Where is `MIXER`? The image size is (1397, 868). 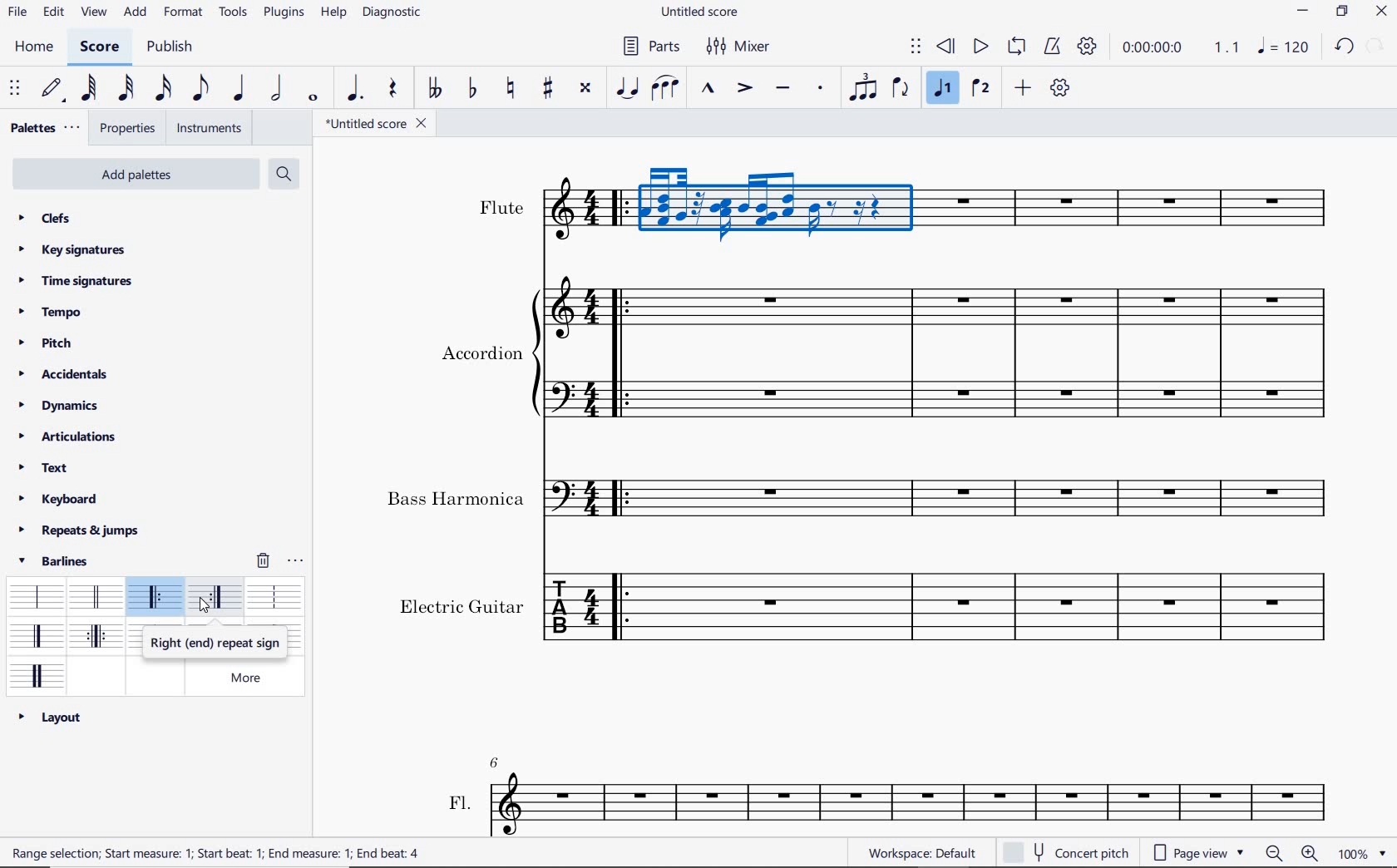
MIXER is located at coordinates (737, 46).